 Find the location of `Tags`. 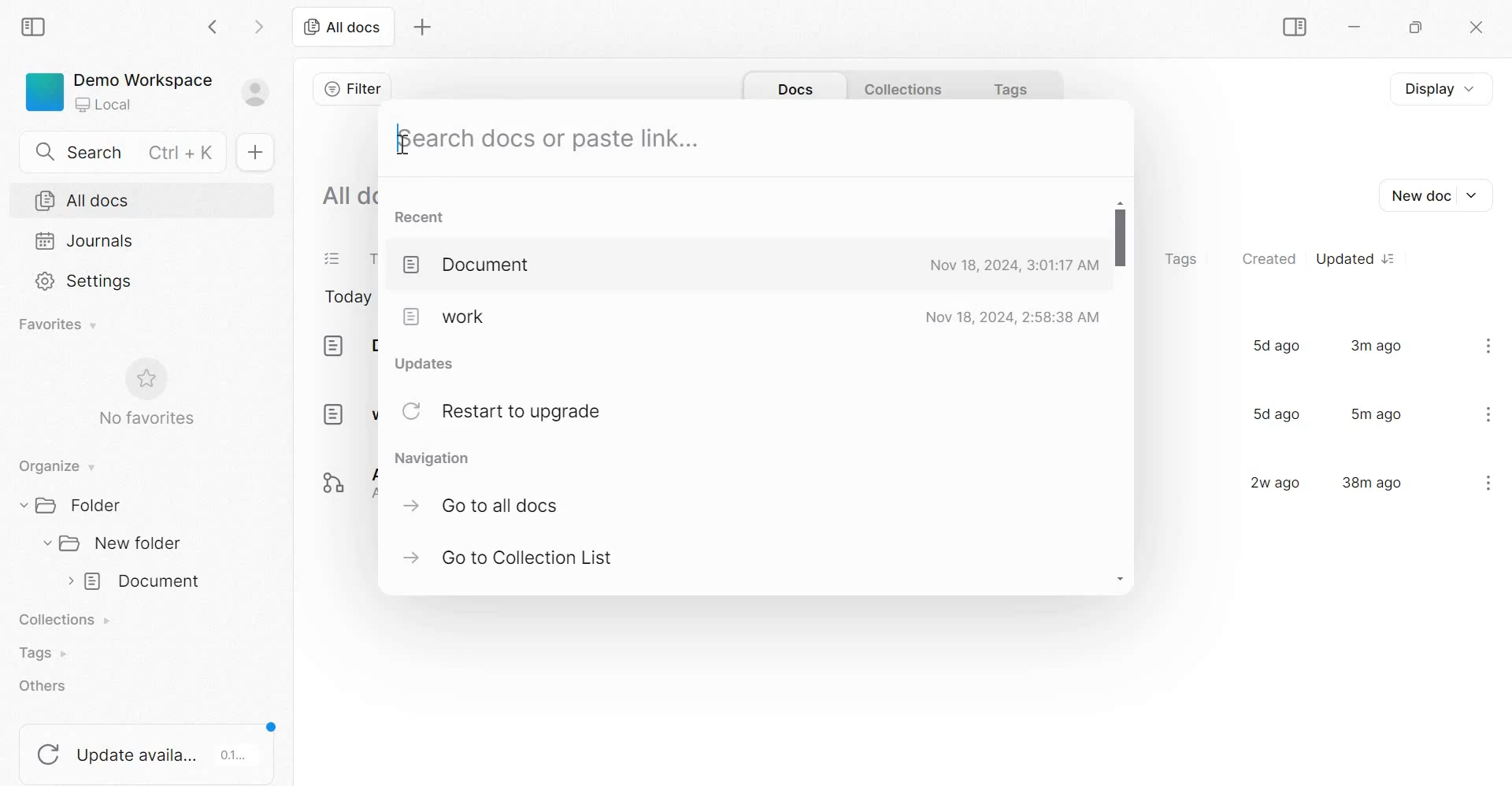

Tags is located at coordinates (1180, 260).